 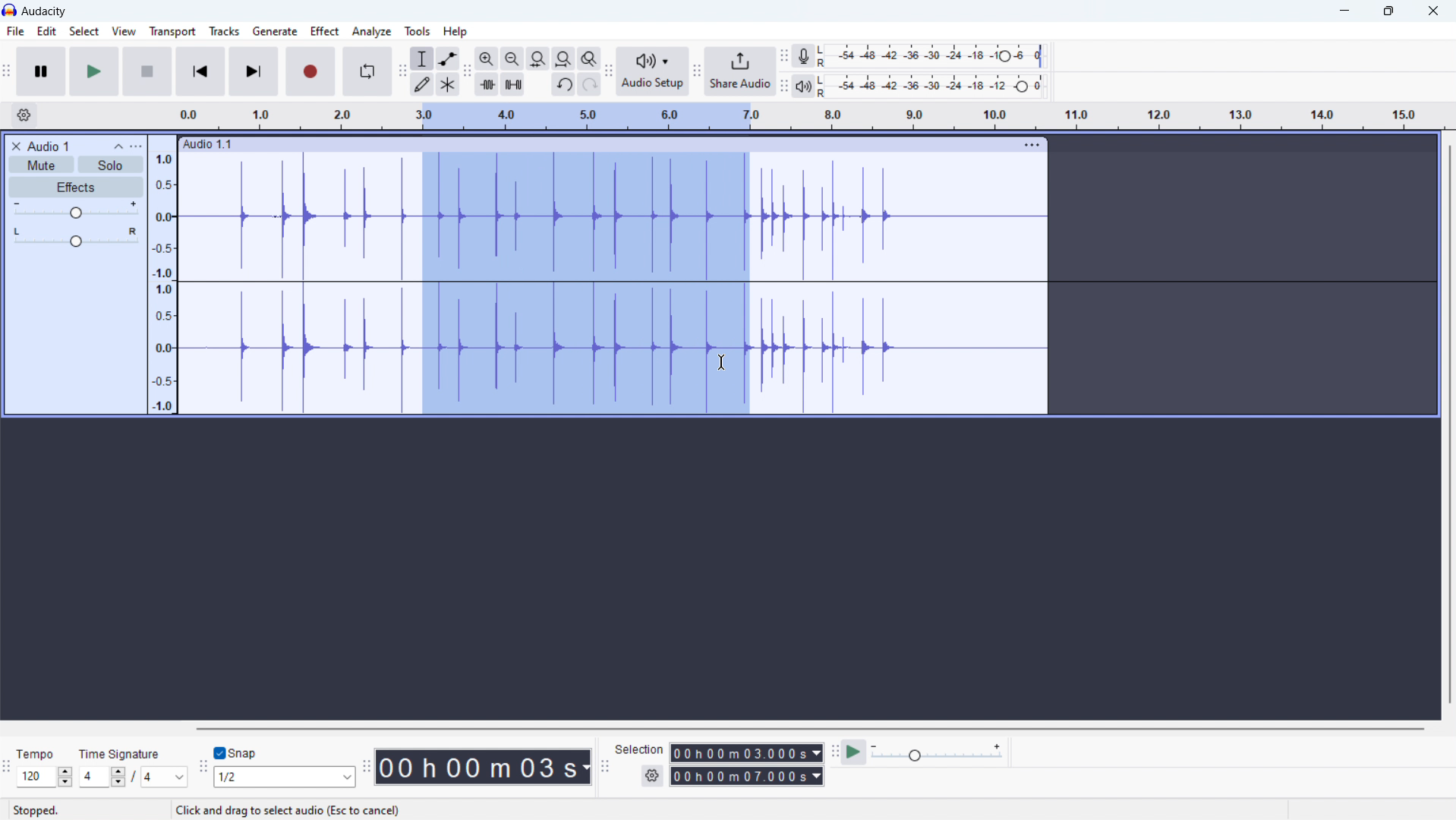 I want to click on file, so click(x=15, y=31).